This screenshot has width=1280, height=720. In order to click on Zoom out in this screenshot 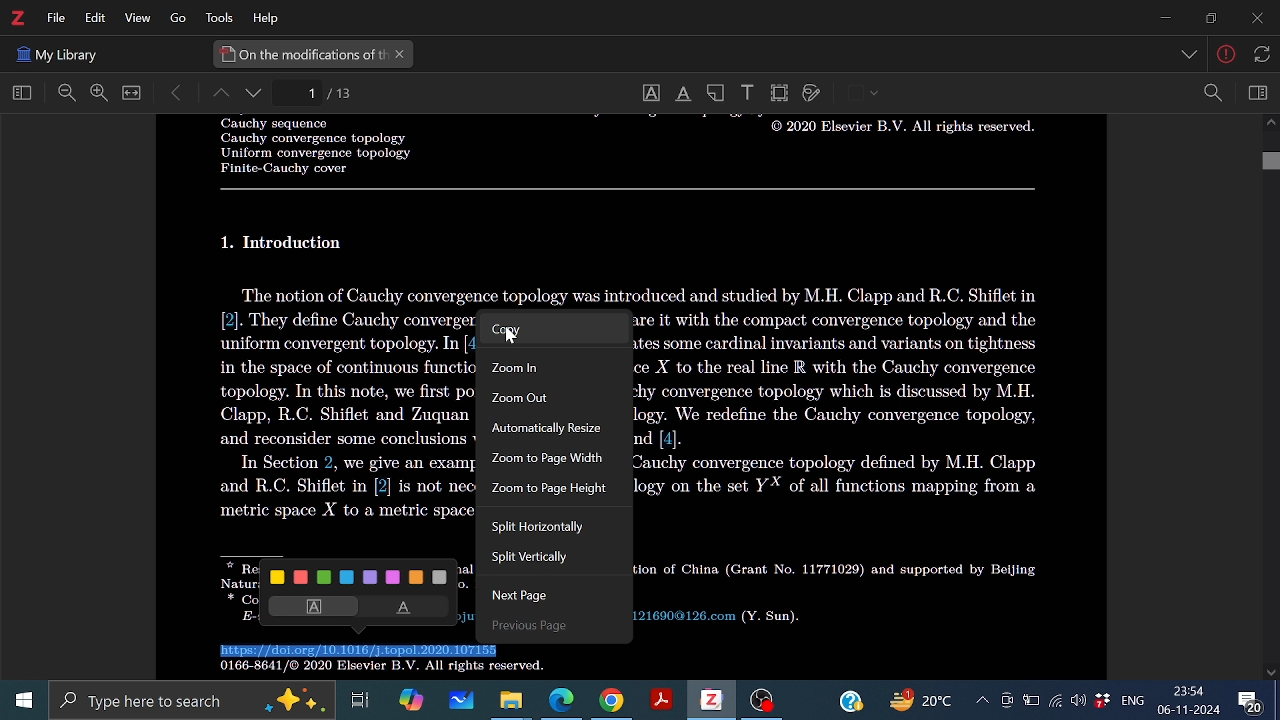, I will do `click(549, 397)`.